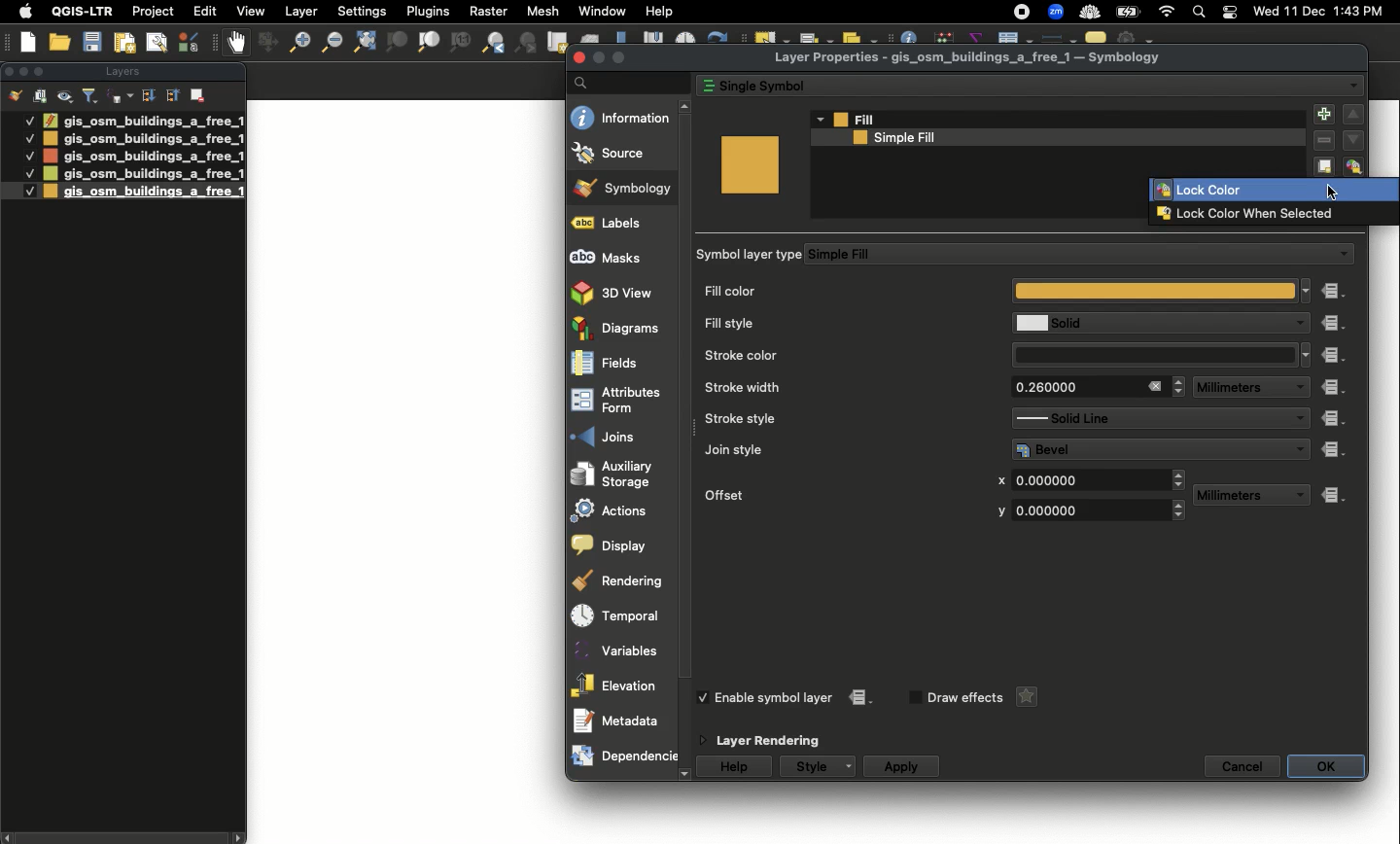 The height and width of the screenshot is (844, 1400). What do you see at coordinates (1180, 479) in the screenshot?
I see `Drop down` at bounding box center [1180, 479].